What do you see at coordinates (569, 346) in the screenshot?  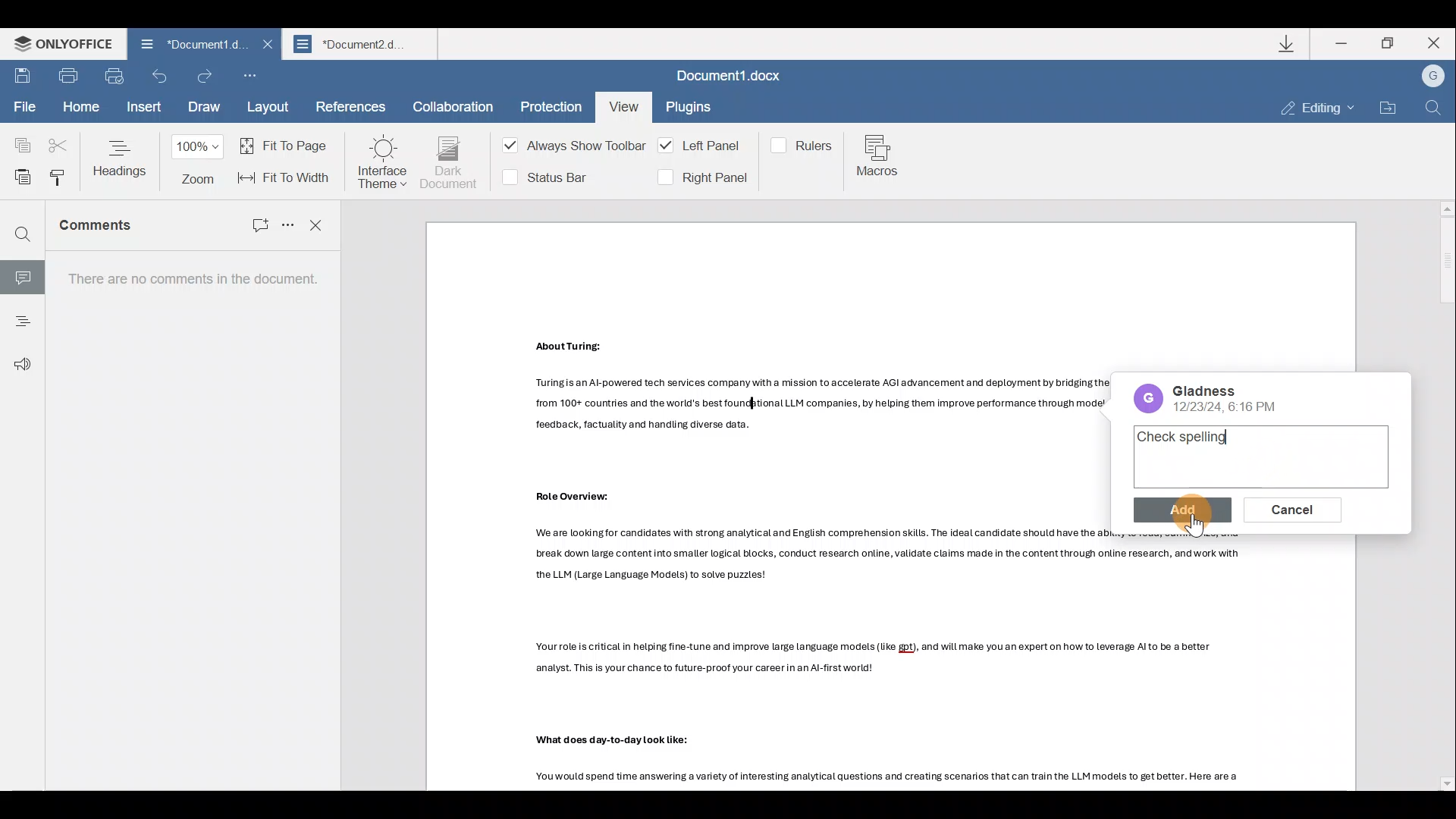 I see `` at bounding box center [569, 346].